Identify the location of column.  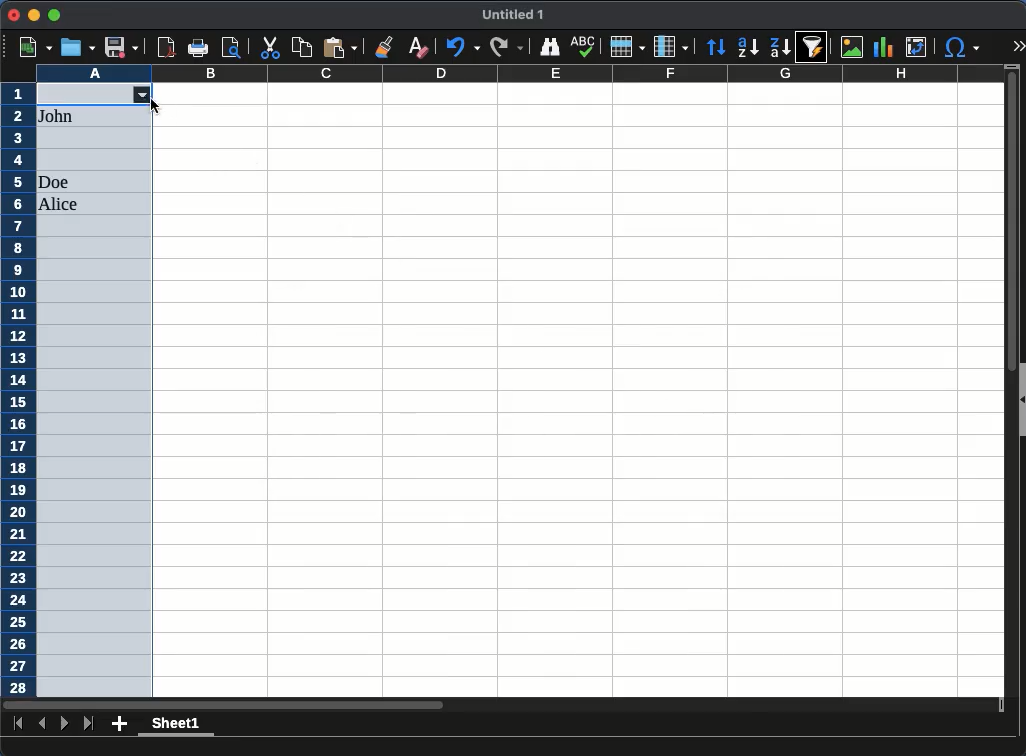
(519, 73).